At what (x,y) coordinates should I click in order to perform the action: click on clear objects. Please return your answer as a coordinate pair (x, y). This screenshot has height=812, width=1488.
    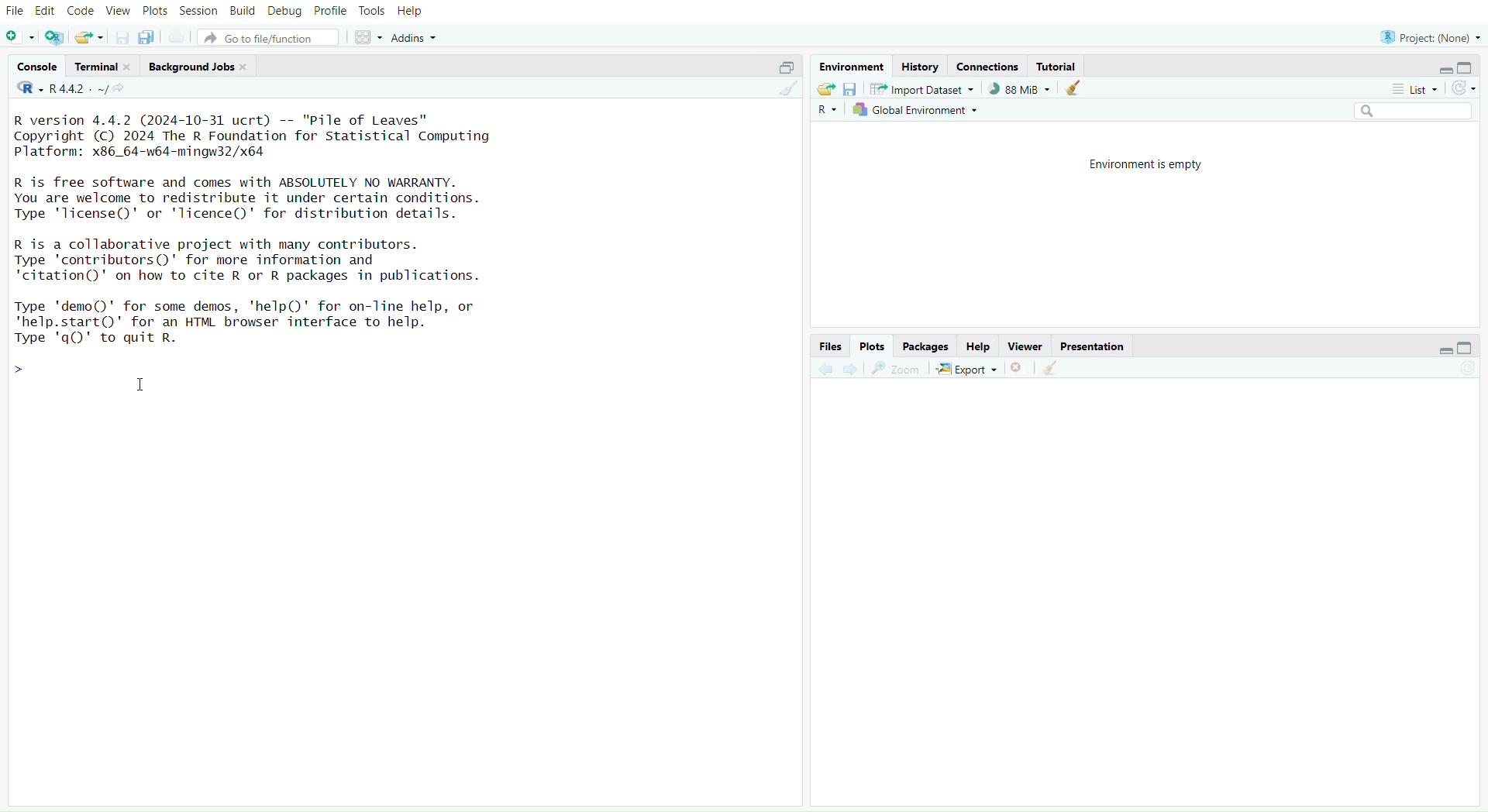
    Looking at the image, I should click on (1075, 90).